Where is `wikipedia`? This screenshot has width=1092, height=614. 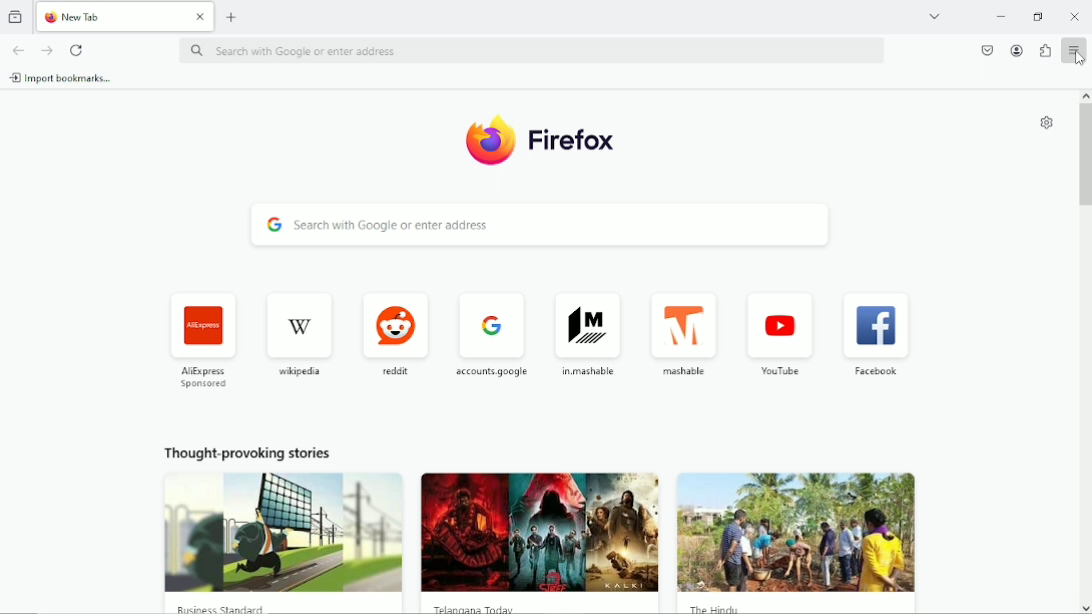 wikipedia is located at coordinates (301, 331).